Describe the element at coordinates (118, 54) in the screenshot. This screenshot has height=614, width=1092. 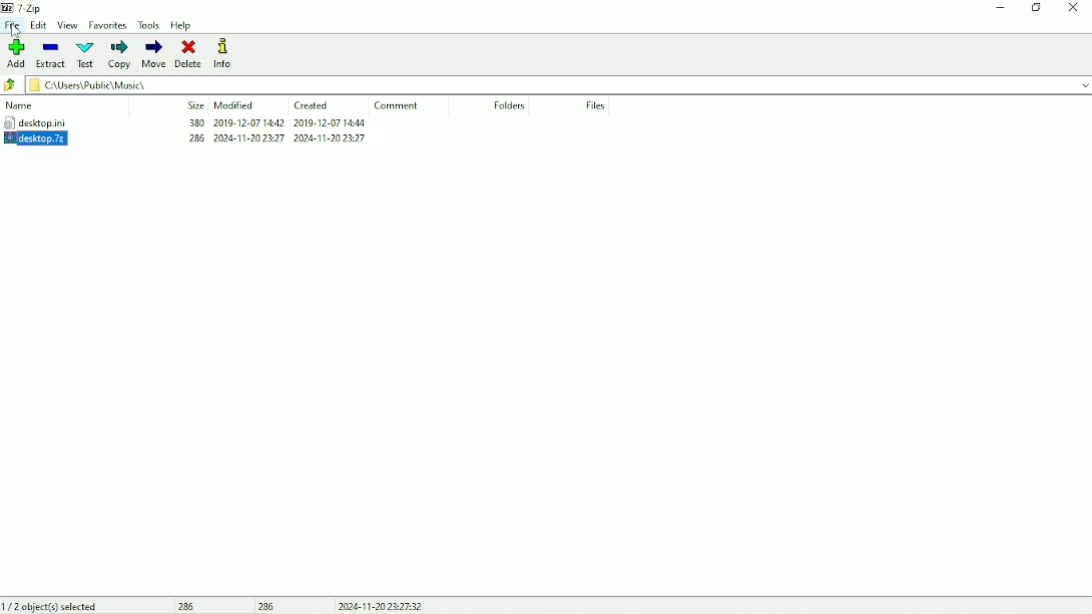
I see `Copy` at that location.